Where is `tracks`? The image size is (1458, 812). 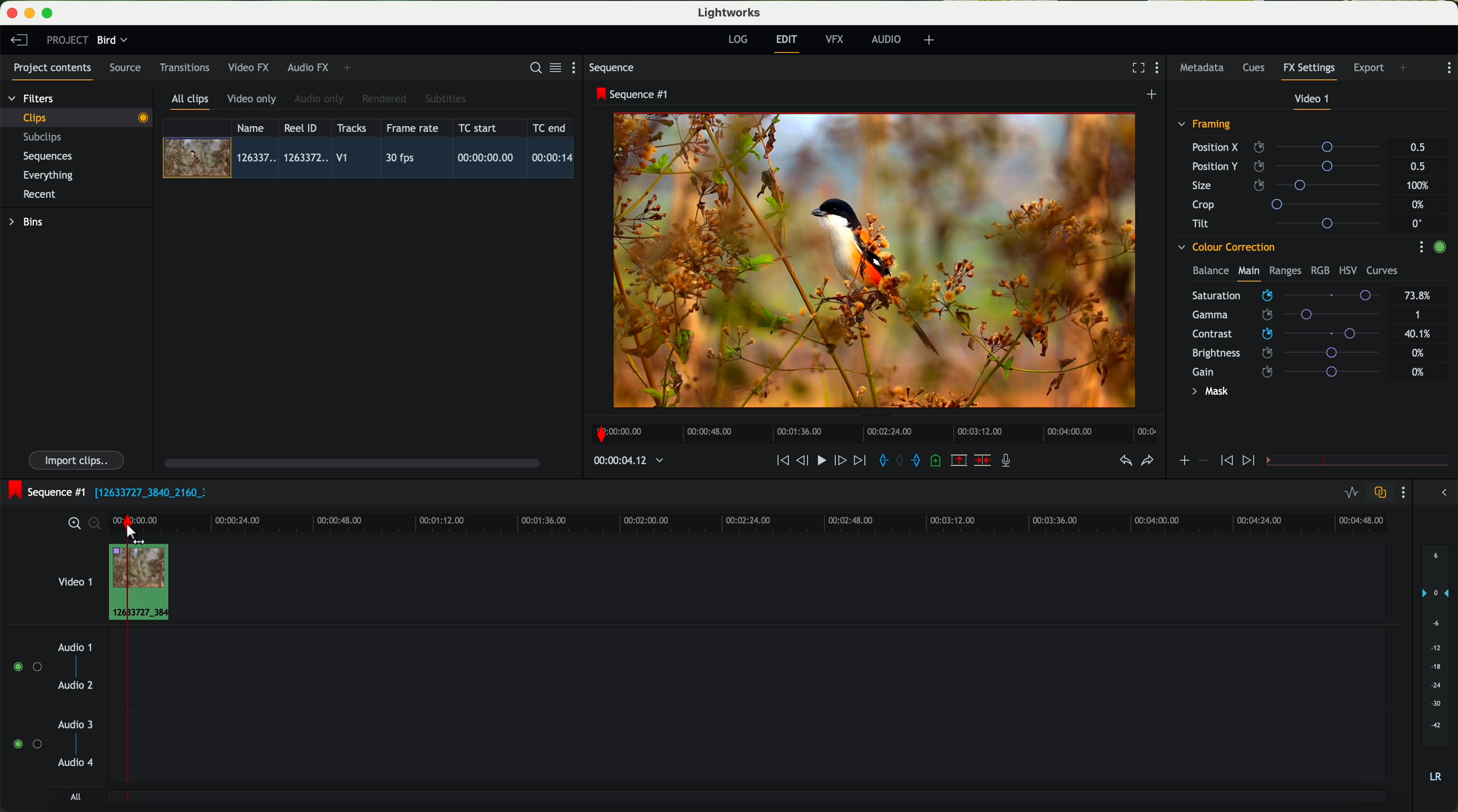
tracks is located at coordinates (350, 128).